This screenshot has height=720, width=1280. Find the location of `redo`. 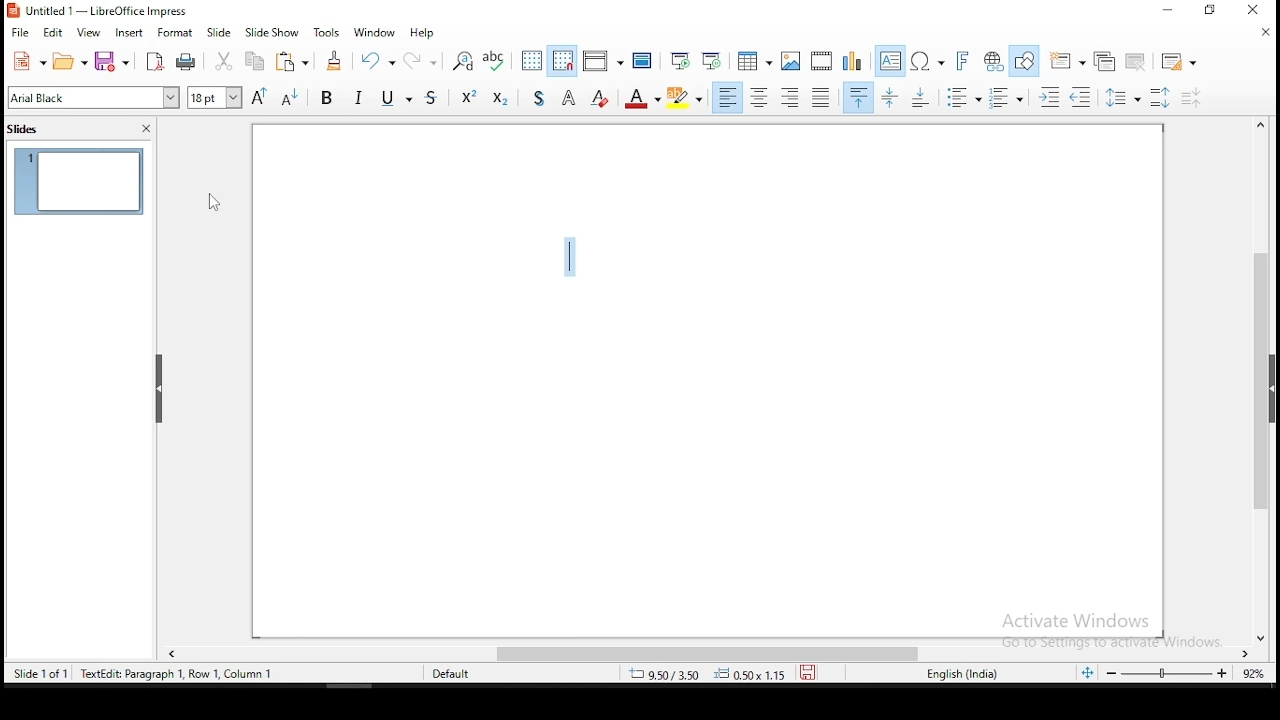

redo is located at coordinates (419, 58).